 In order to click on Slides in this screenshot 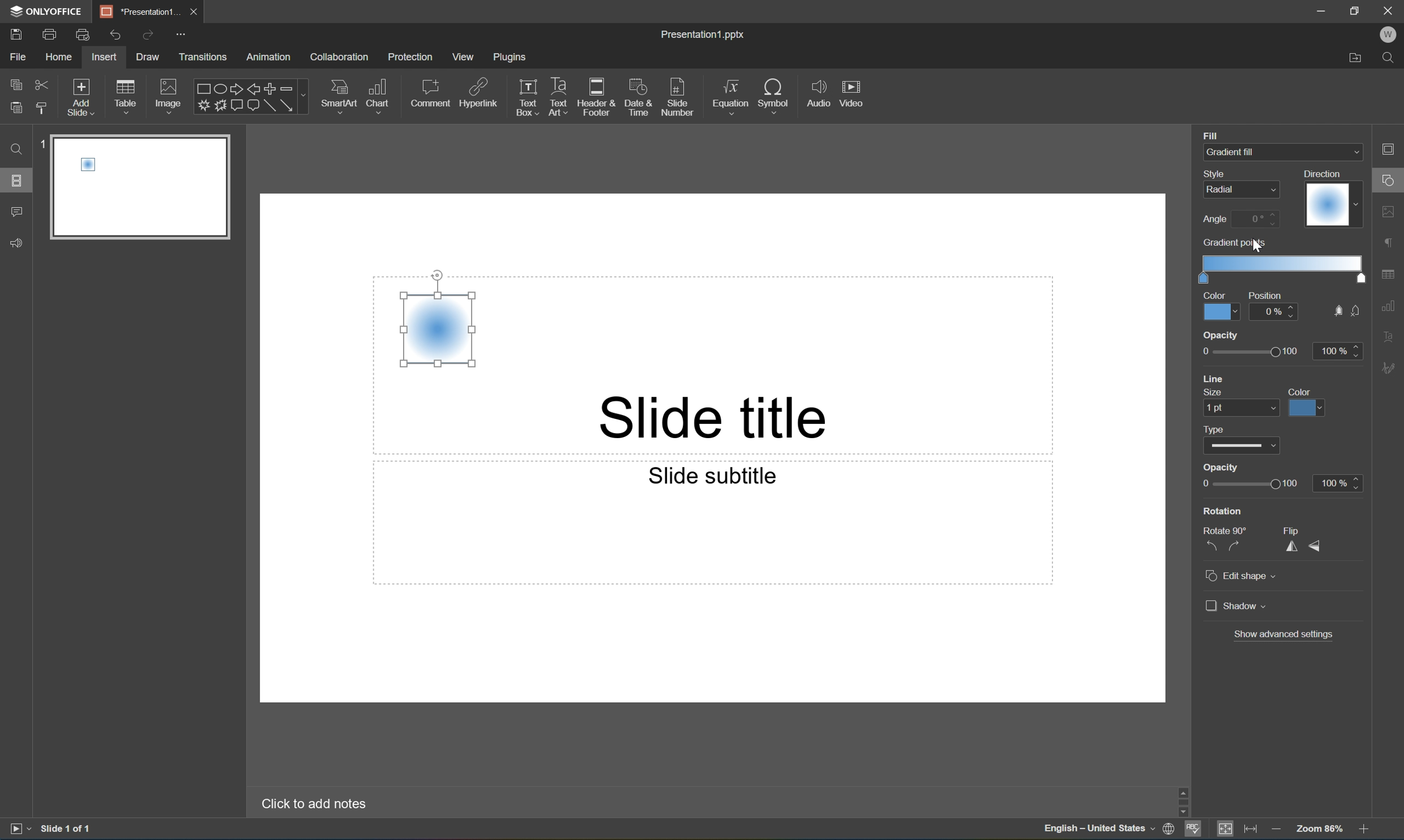, I will do `click(16, 179)`.